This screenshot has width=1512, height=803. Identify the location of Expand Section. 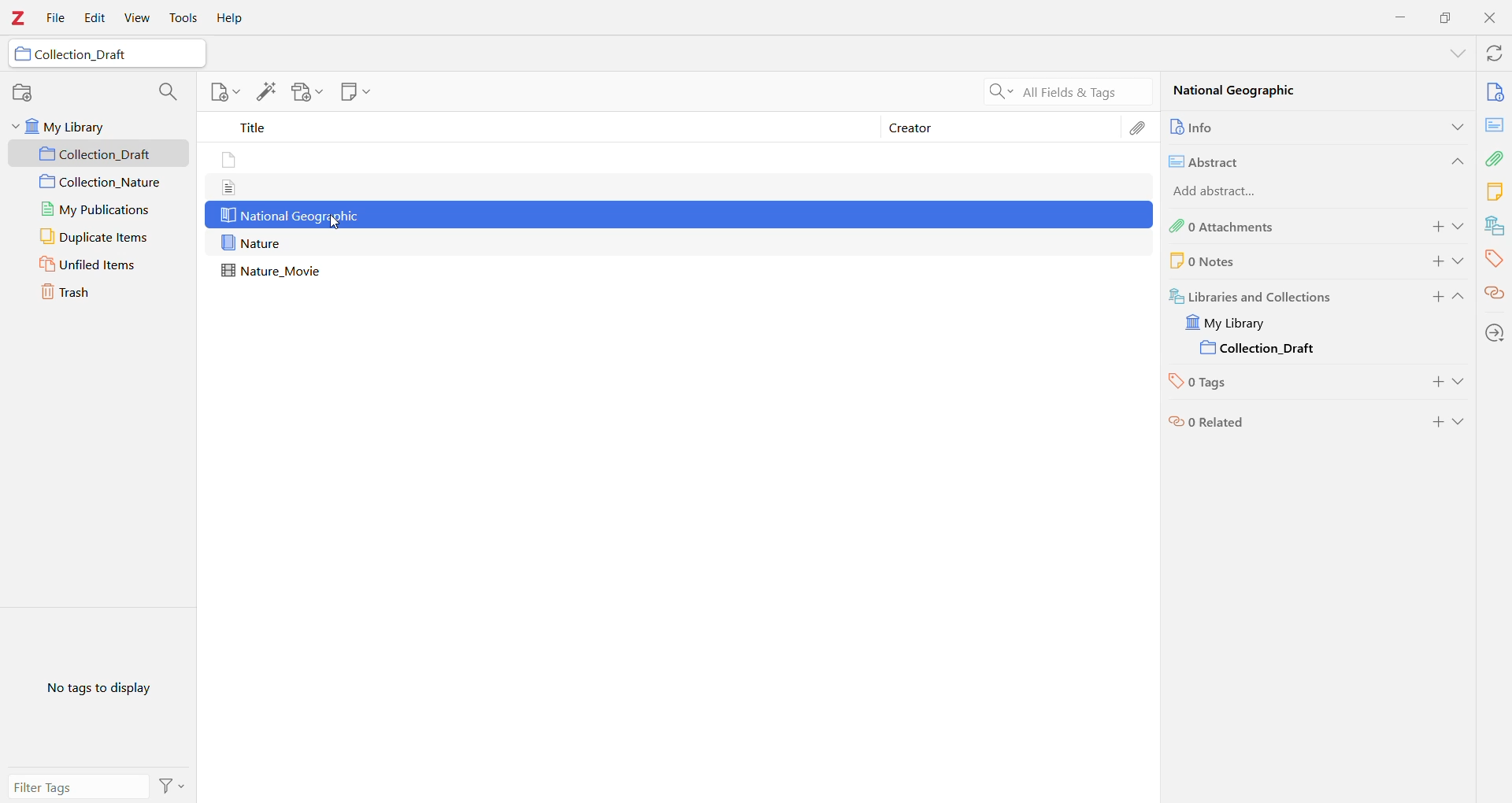
(1461, 227).